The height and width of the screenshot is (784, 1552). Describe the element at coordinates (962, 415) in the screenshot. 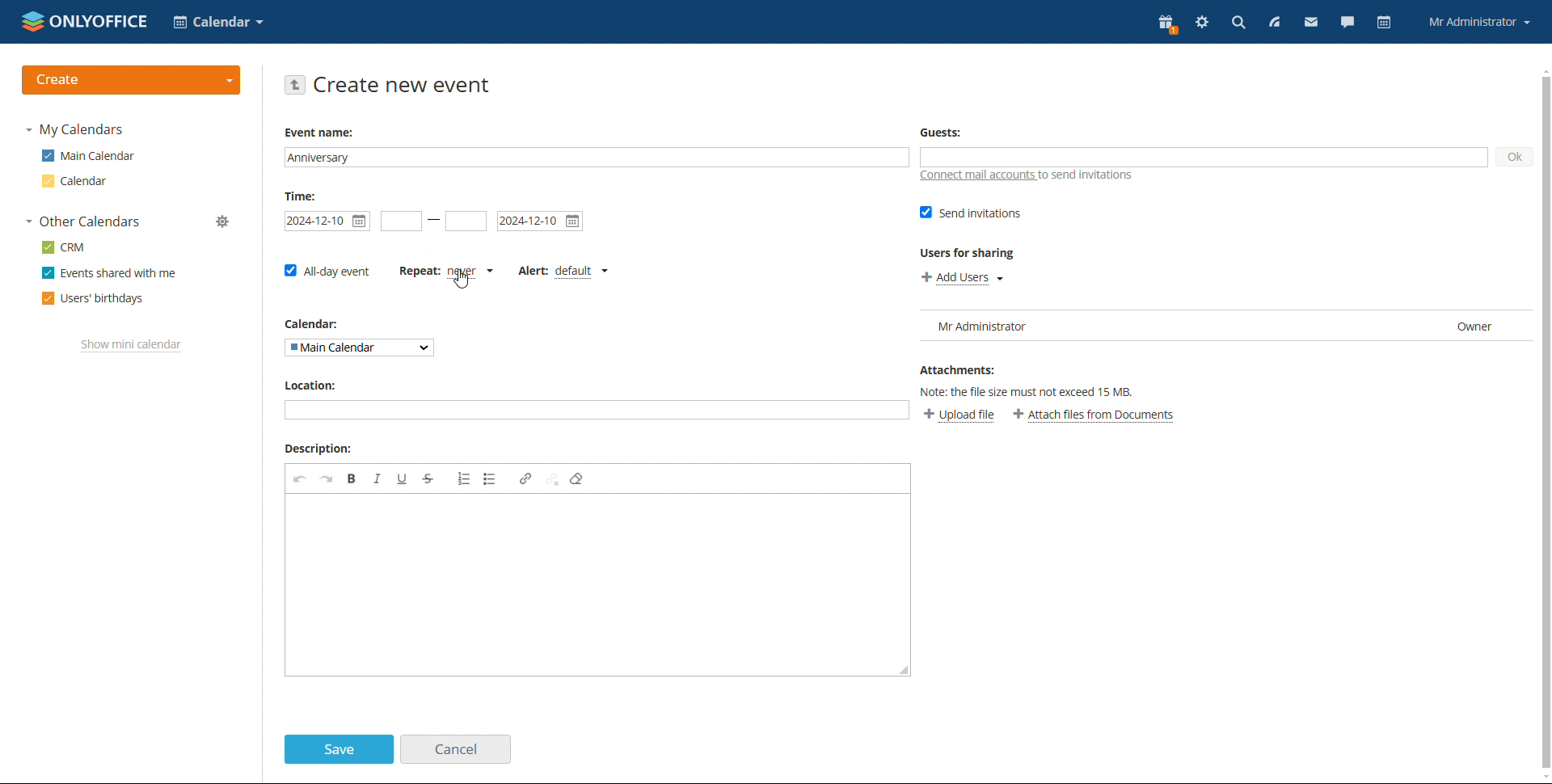

I see `upload file` at that location.